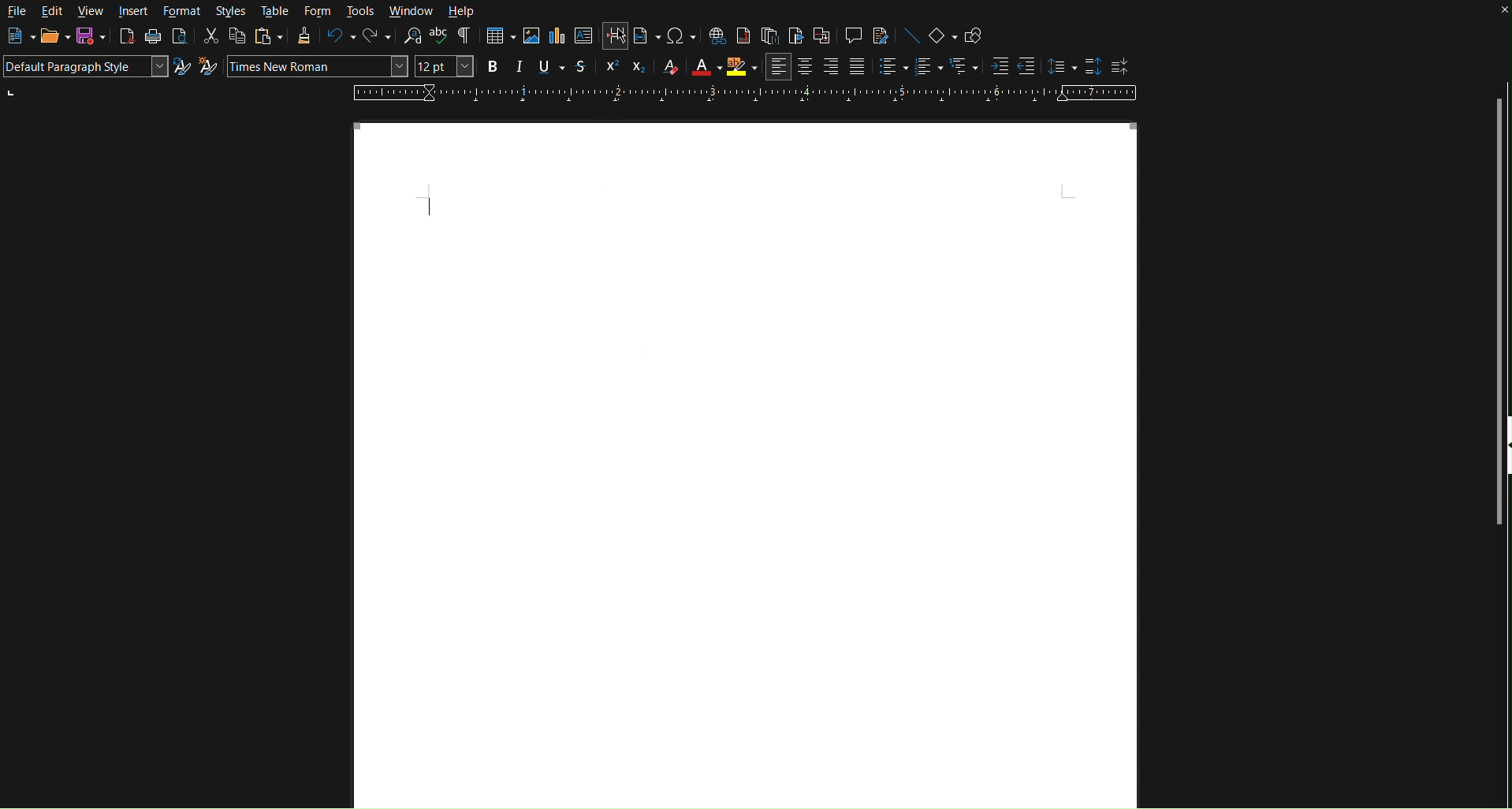 This screenshot has width=1512, height=809. What do you see at coordinates (93, 12) in the screenshot?
I see `View` at bounding box center [93, 12].